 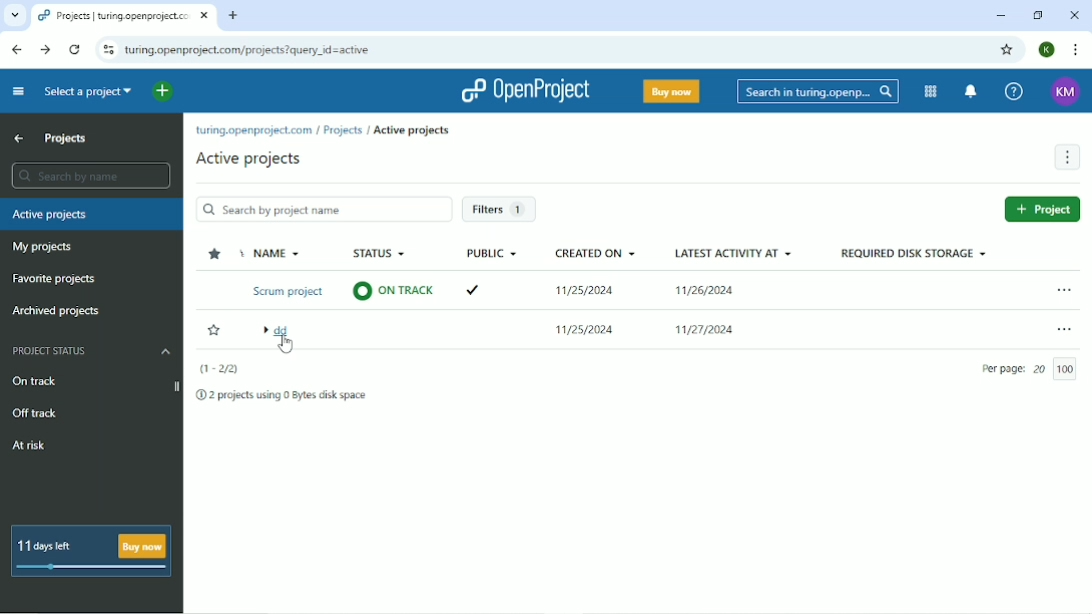 What do you see at coordinates (21, 91) in the screenshot?
I see `Collapse project menu` at bounding box center [21, 91].